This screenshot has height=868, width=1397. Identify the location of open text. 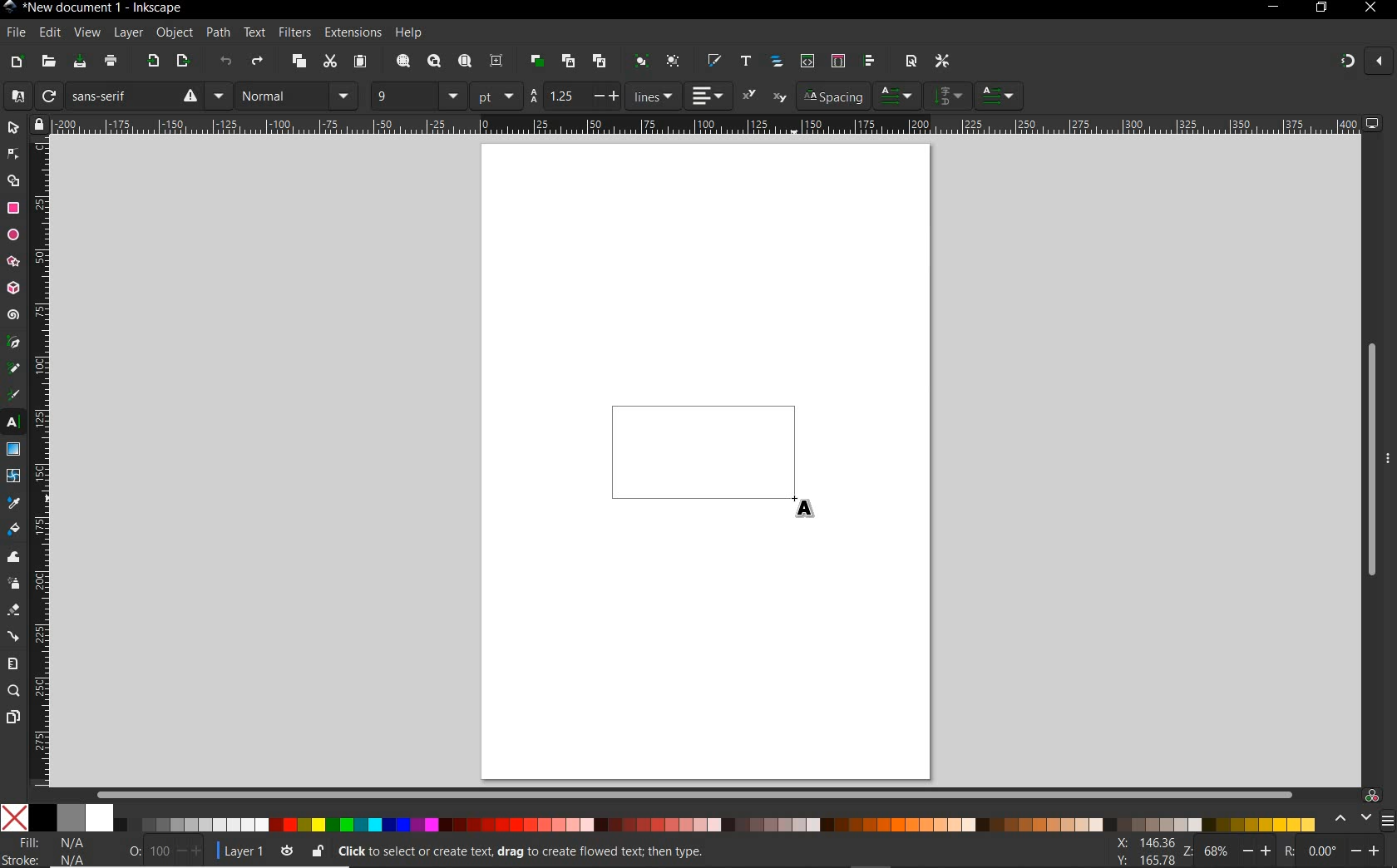
(745, 60).